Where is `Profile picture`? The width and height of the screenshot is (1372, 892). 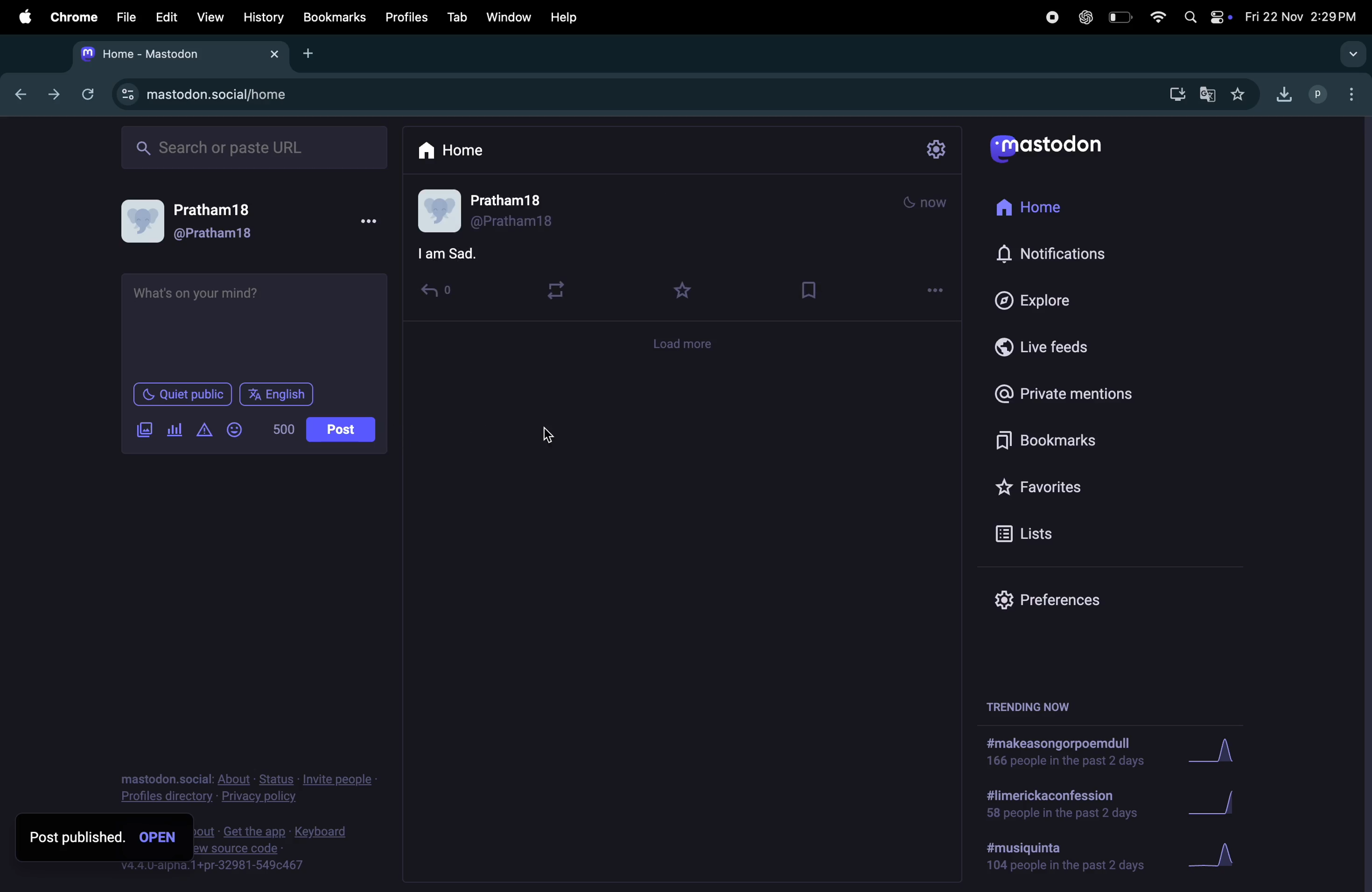
Profile picture is located at coordinates (142, 221).